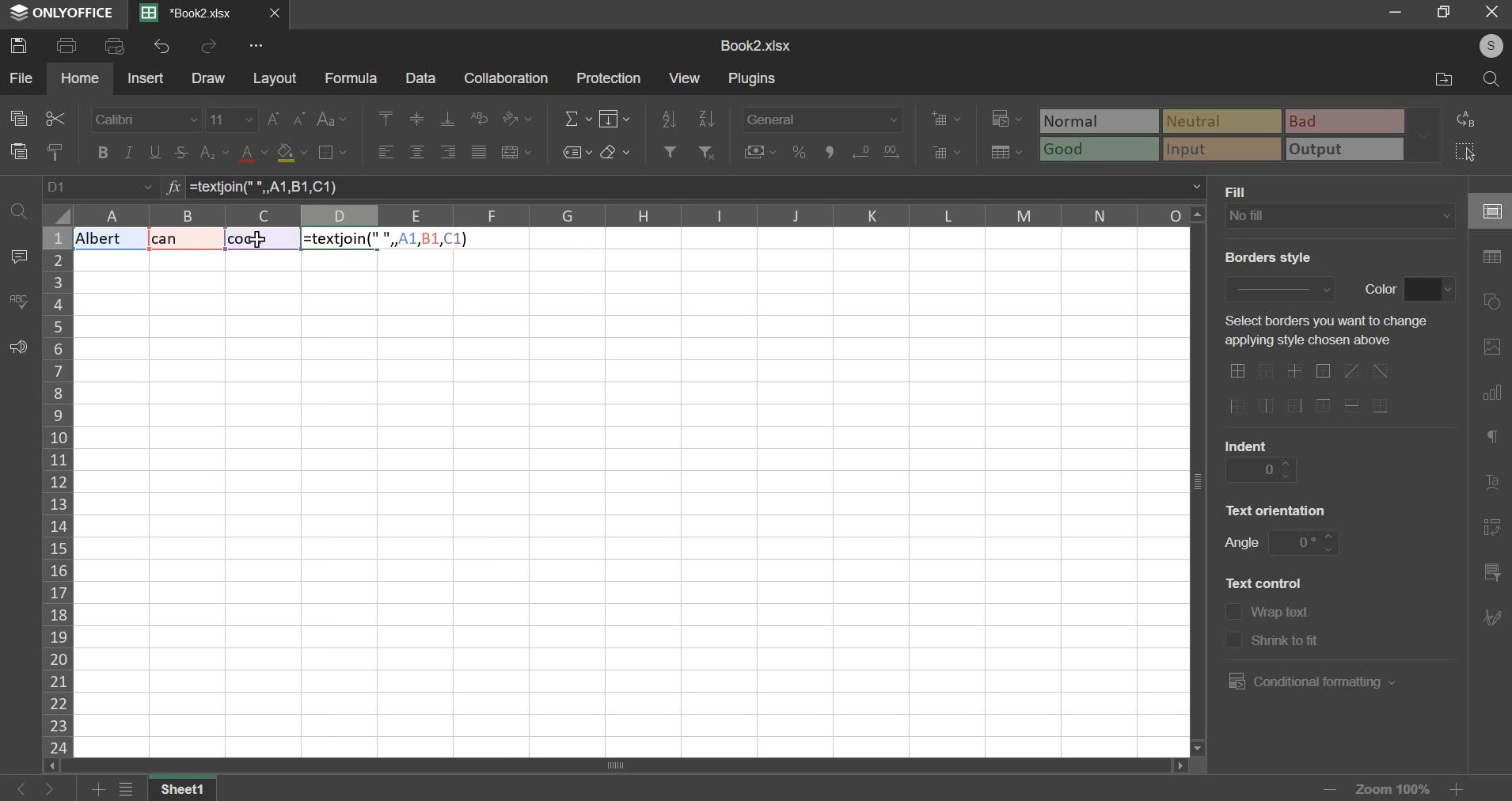 Image resolution: width=1512 pixels, height=801 pixels. What do you see at coordinates (61, 789) in the screenshot?
I see `go forward` at bounding box center [61, 789].